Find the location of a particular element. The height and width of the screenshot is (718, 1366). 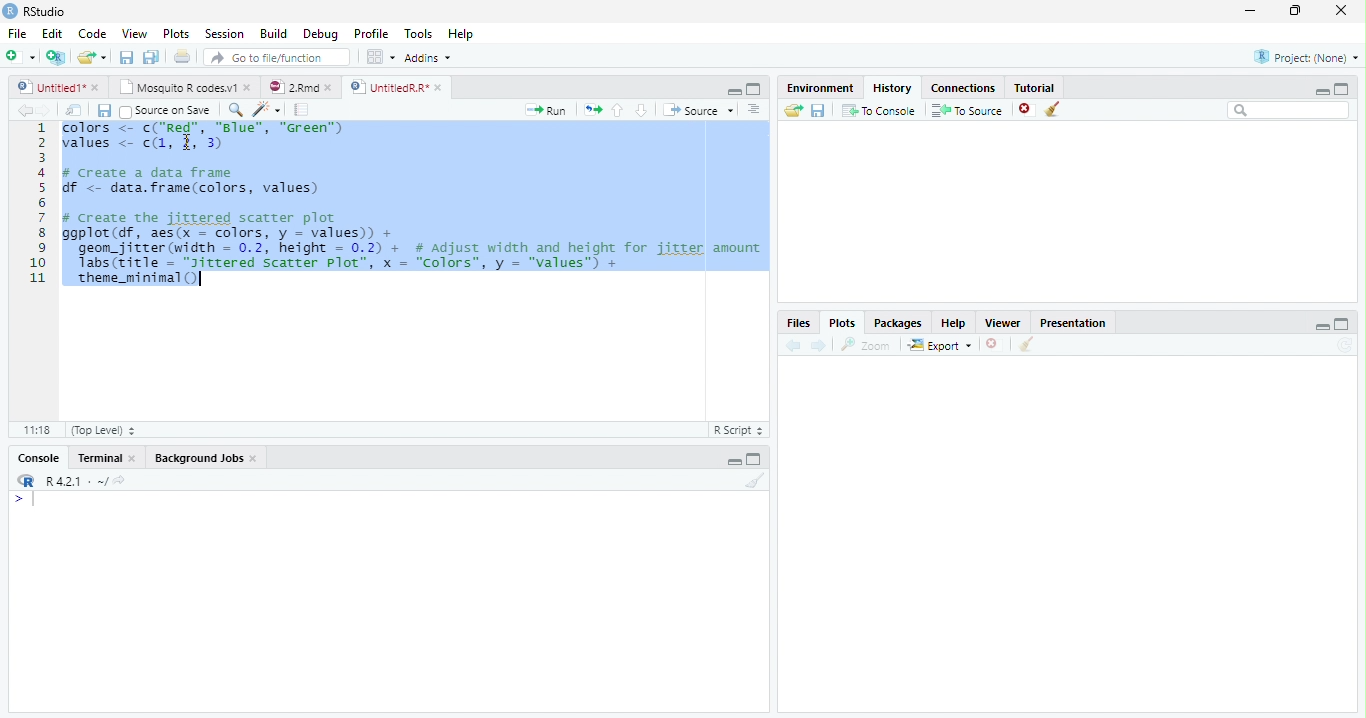

Viewer is located at coordinates (1004, 323).